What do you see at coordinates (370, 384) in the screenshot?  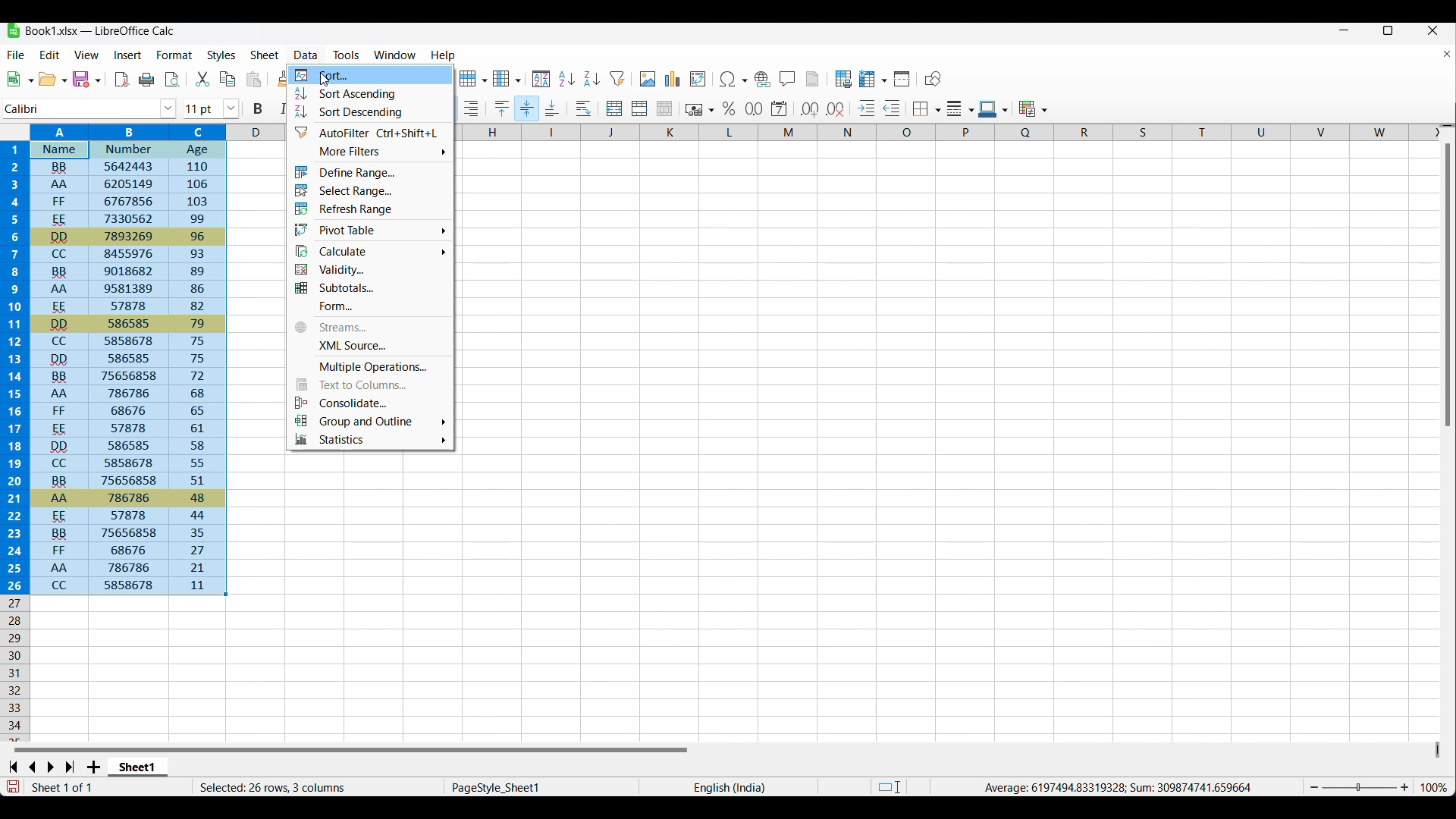 I see `Text to columns` at bounding box center [370, 384].